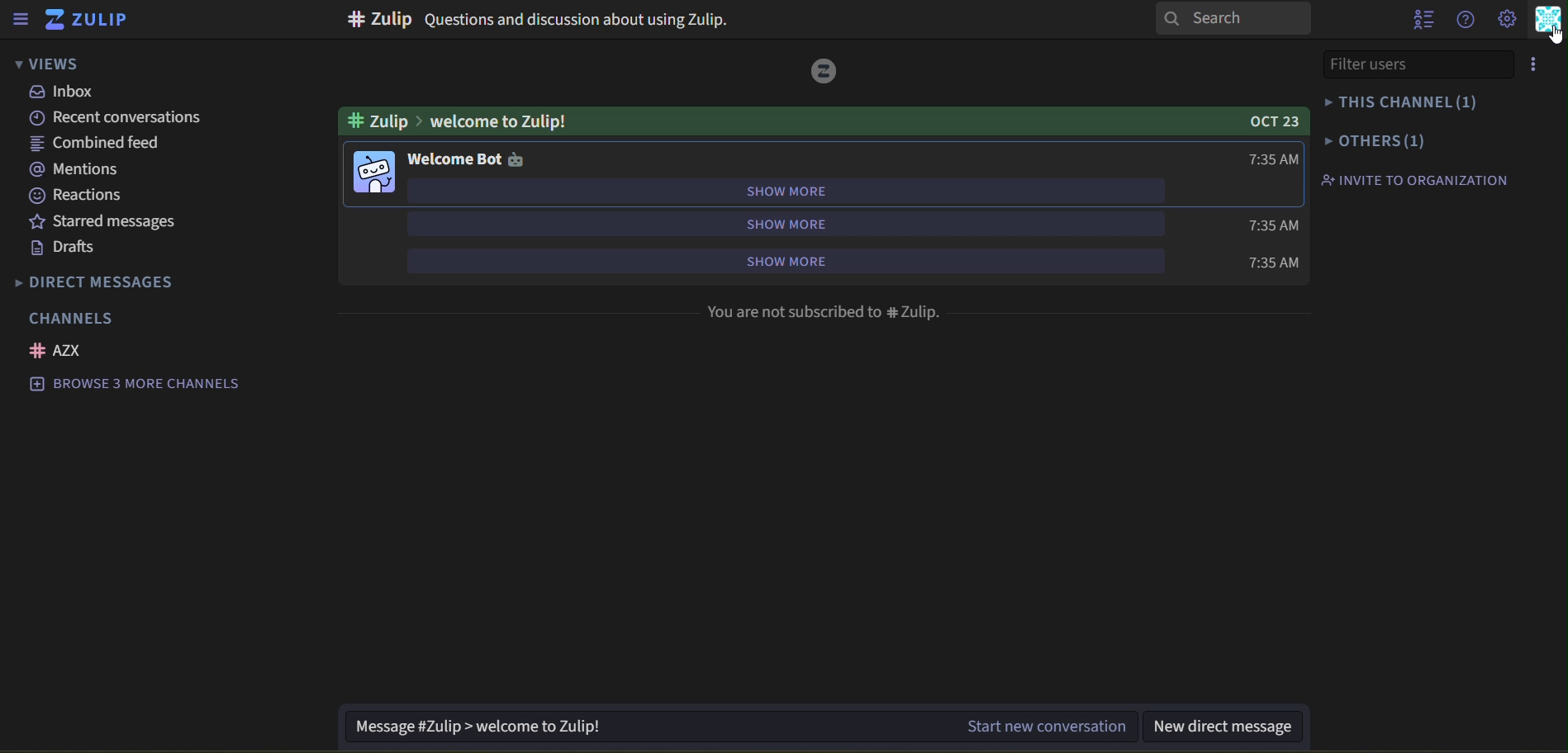  Describe the element at coordinates (1270, 224) in the screenshot. I see `time` at that location.